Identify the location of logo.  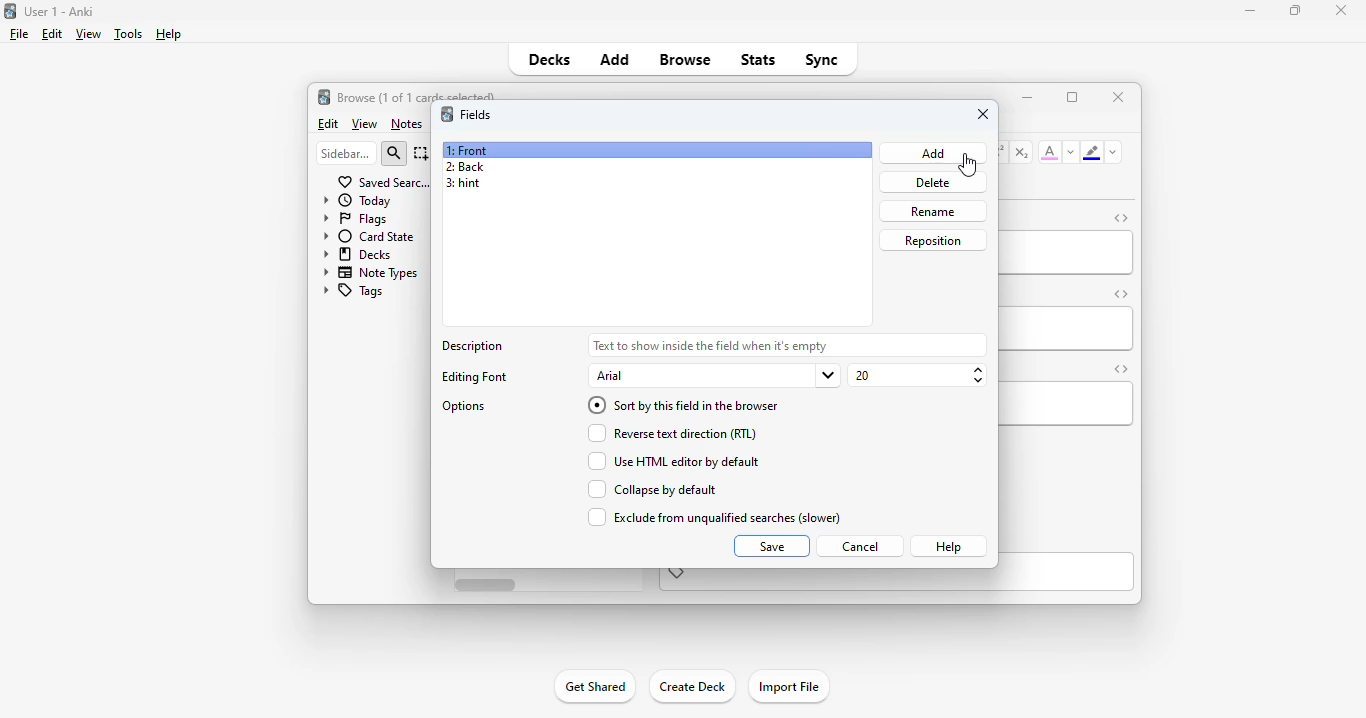
(9, 10).